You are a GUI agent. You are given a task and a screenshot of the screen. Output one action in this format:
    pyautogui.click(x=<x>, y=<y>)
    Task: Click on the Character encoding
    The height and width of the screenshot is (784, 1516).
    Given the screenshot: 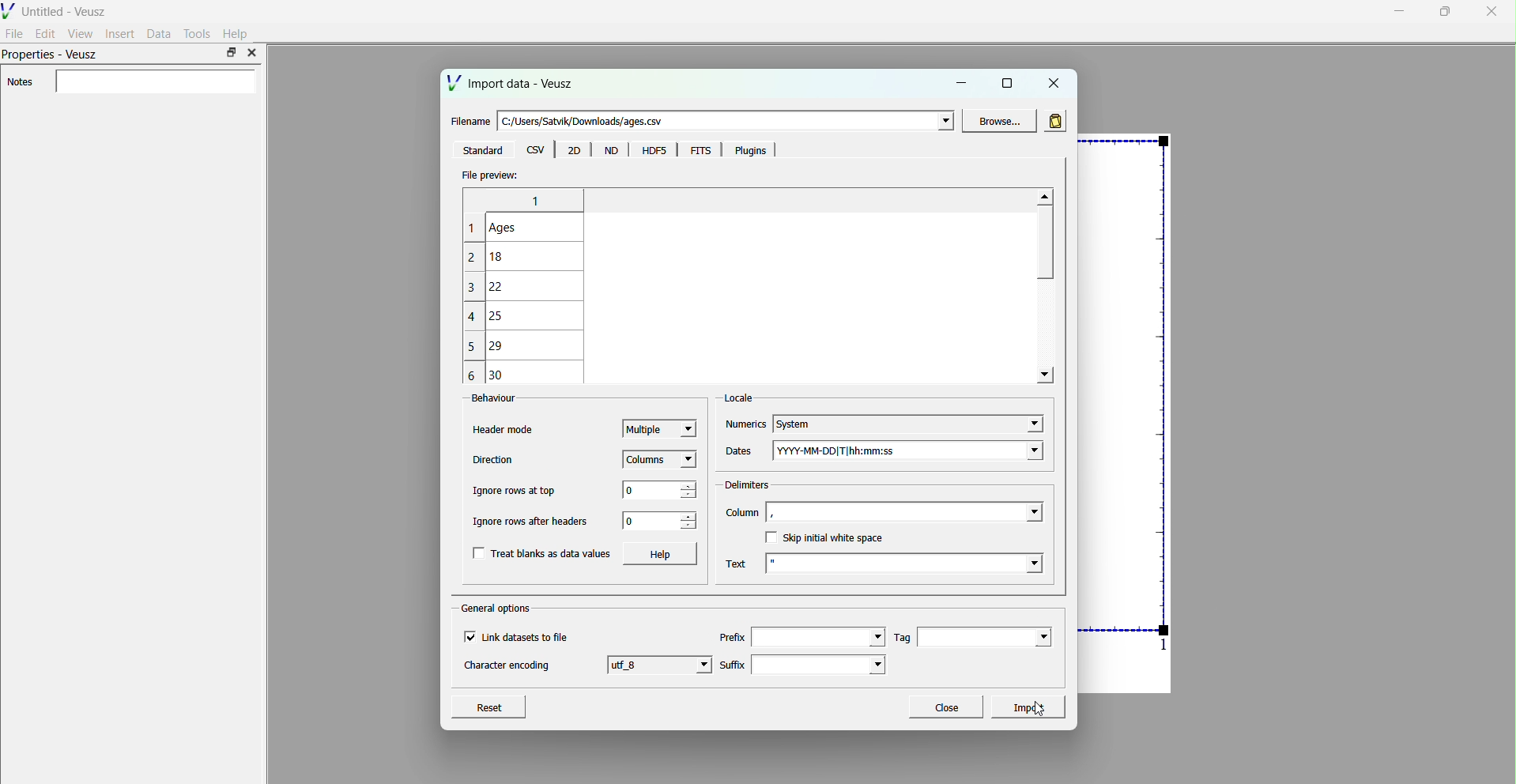 What is the action you would take?
    pyautogui.click(x=507, y=666)
    